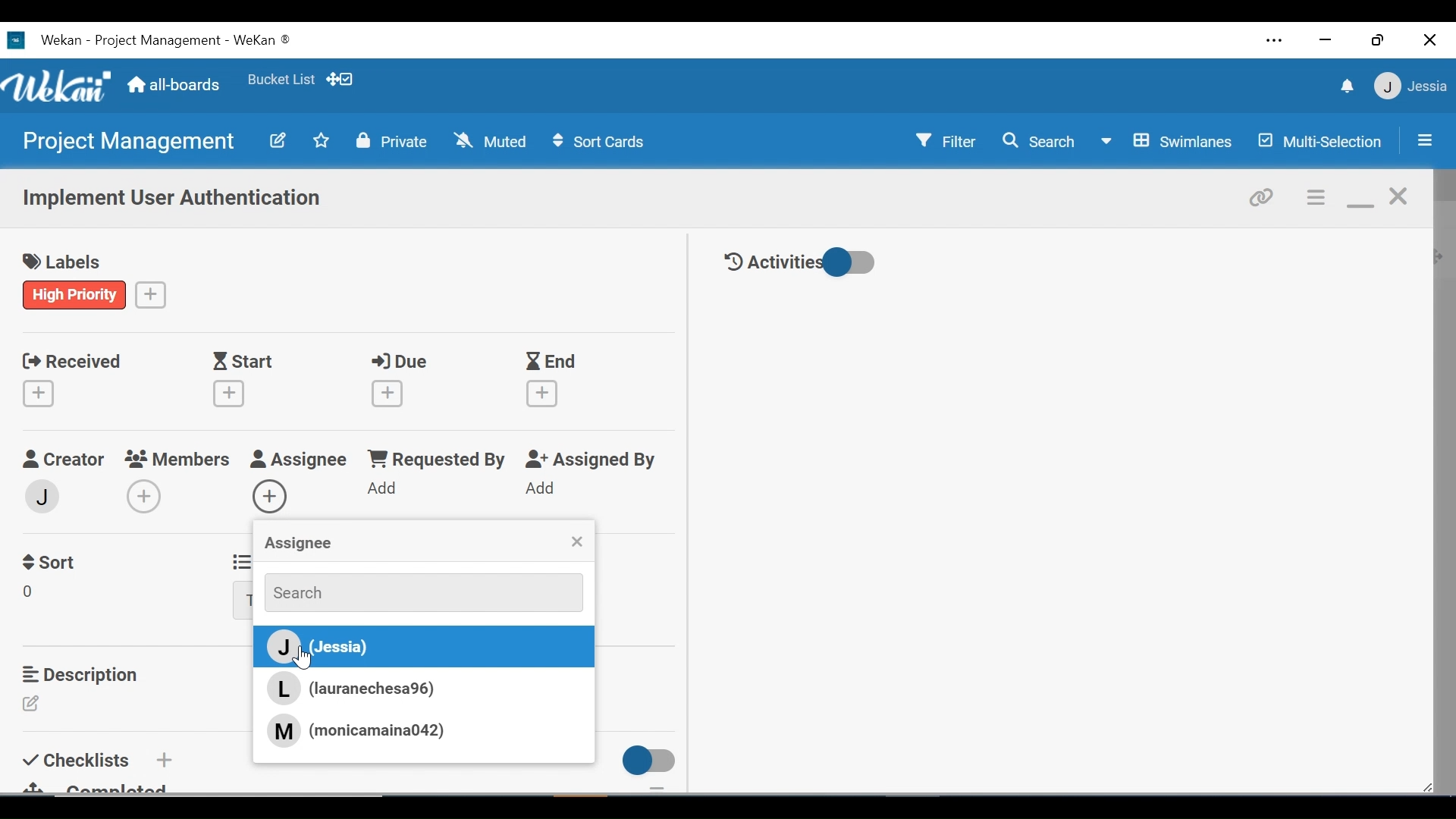 This screenshot has width=1456, height=819. What do you see at coordinates (1431, 39) in the screenshot?
I see `Close` at bounding box center [1431, 39].